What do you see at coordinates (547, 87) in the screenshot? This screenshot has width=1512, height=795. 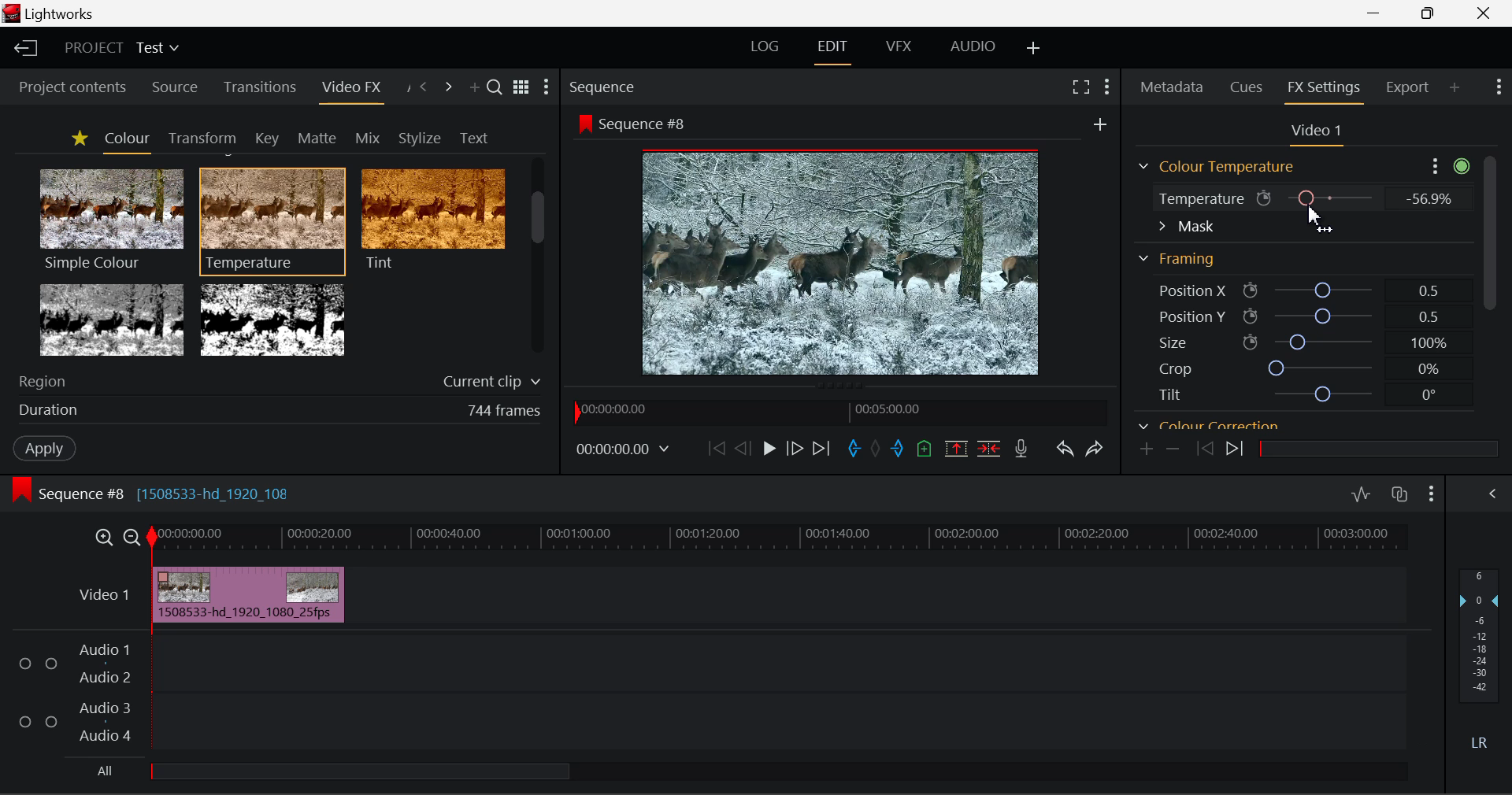 I see `Show Settings` at bounding box center [547, 87].